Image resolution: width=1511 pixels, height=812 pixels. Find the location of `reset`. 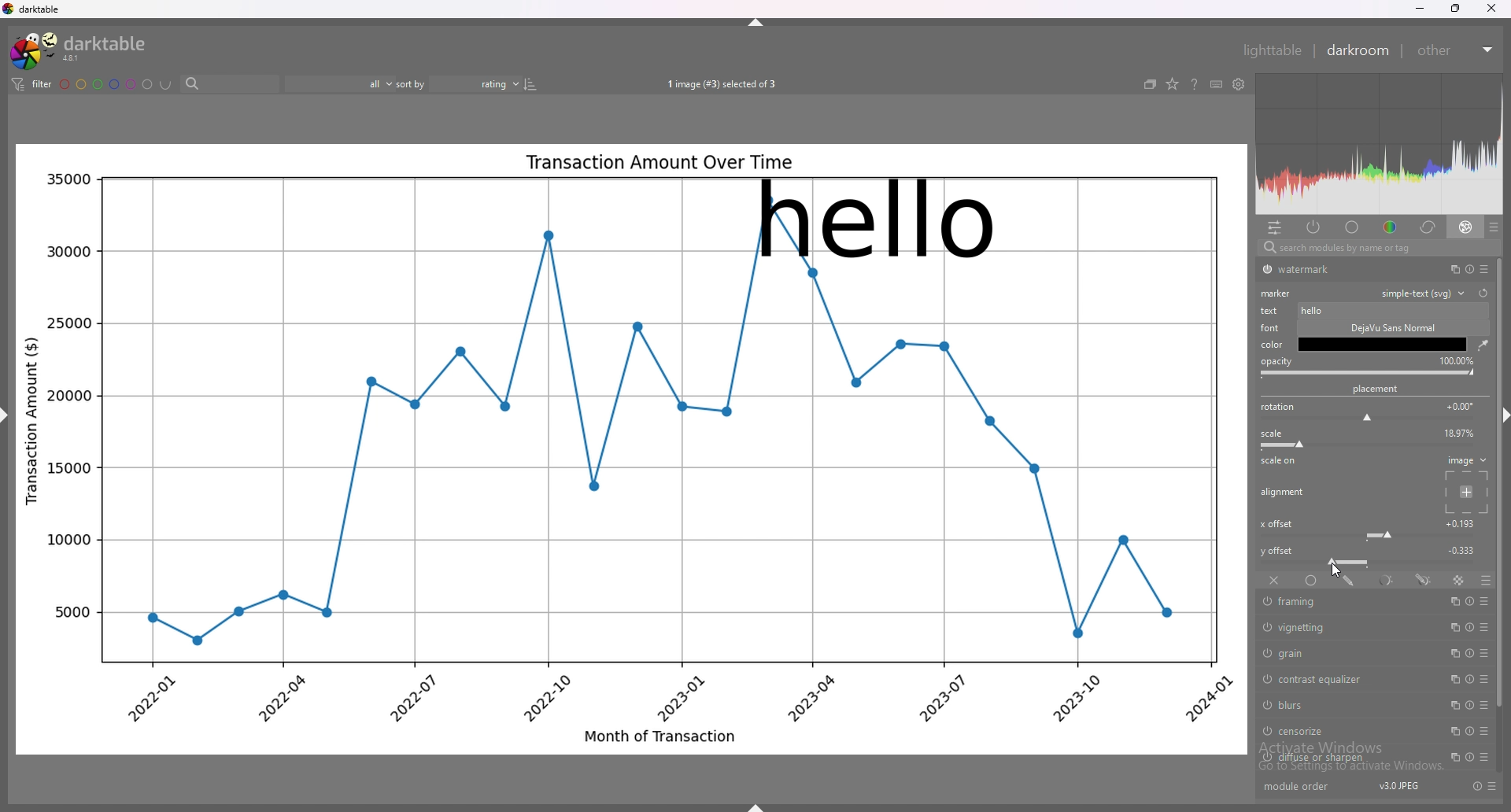

reset is located at coordinates (1467, 680).